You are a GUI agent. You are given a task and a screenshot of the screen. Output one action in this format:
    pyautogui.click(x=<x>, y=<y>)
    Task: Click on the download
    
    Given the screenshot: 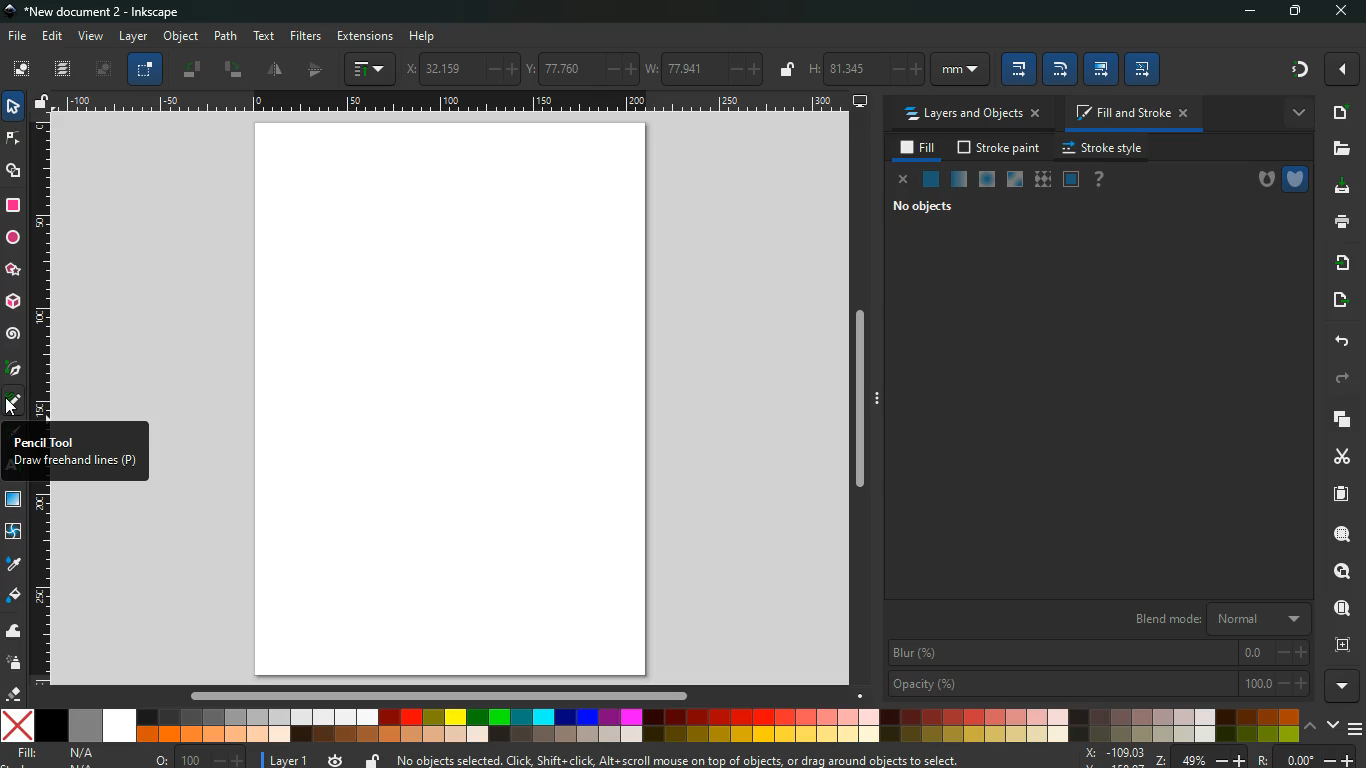 What is the action you would take?
    pyautogui.click(x=1337, y=188)
    